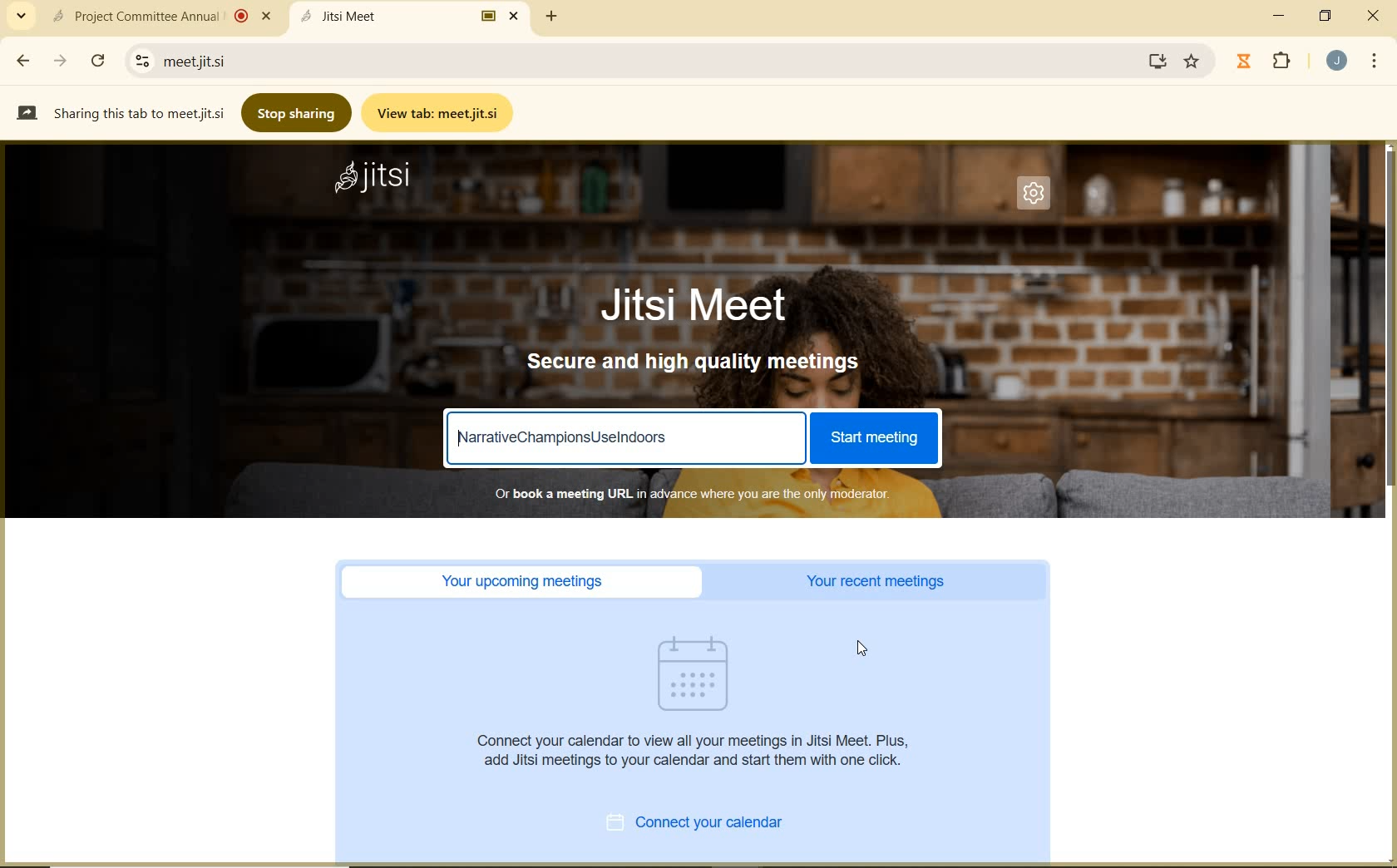  What do you see at coordinates (565, 438) in the screenshot?
I see `NarrativeChampionsUselndoors` at bounding box center [565, 438].